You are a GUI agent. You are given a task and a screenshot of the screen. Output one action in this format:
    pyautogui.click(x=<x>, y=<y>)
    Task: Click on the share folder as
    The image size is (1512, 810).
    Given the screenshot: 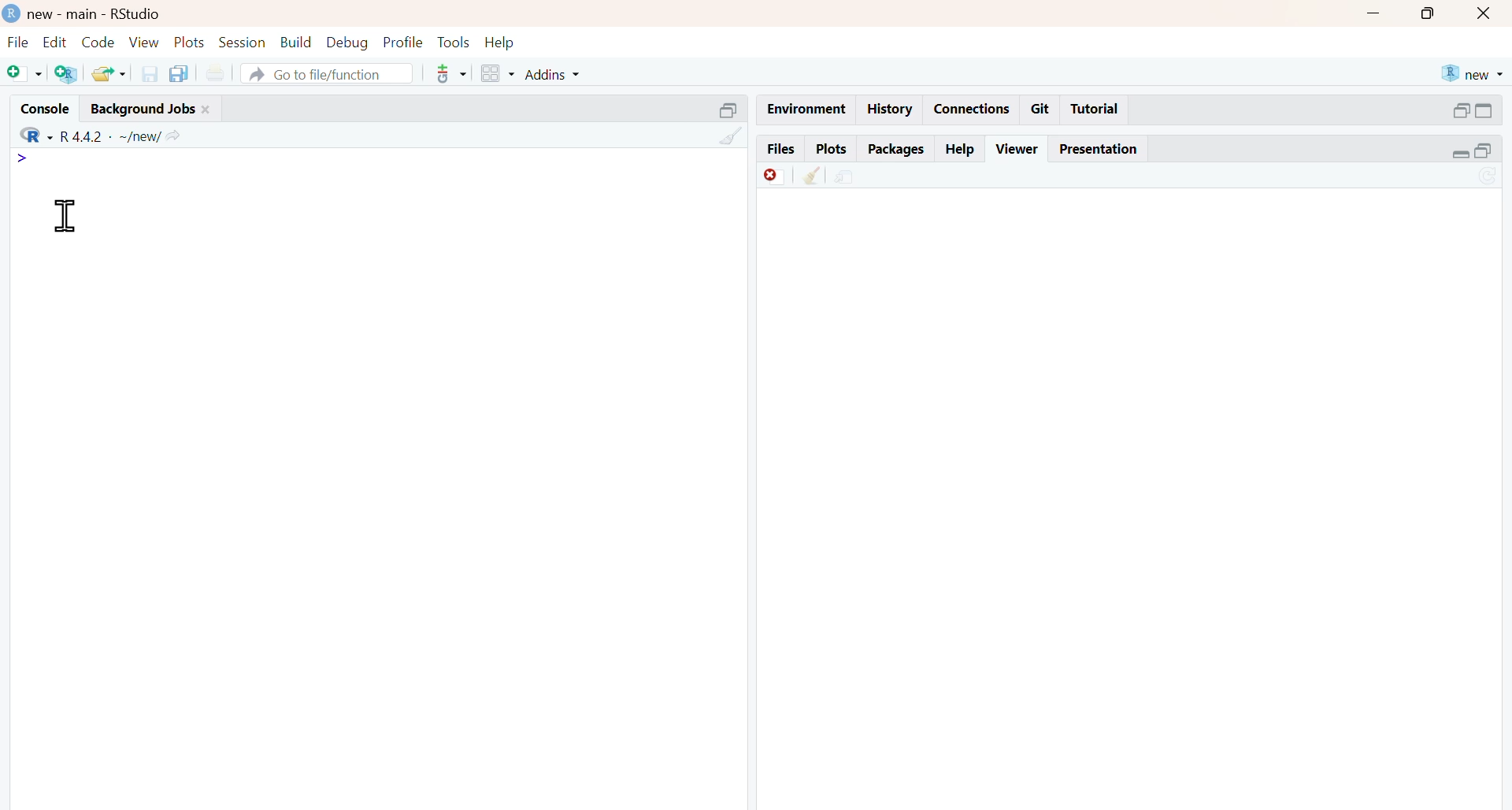 What is the action you would take?
    pyautogui.click(x=111, y=73)
    